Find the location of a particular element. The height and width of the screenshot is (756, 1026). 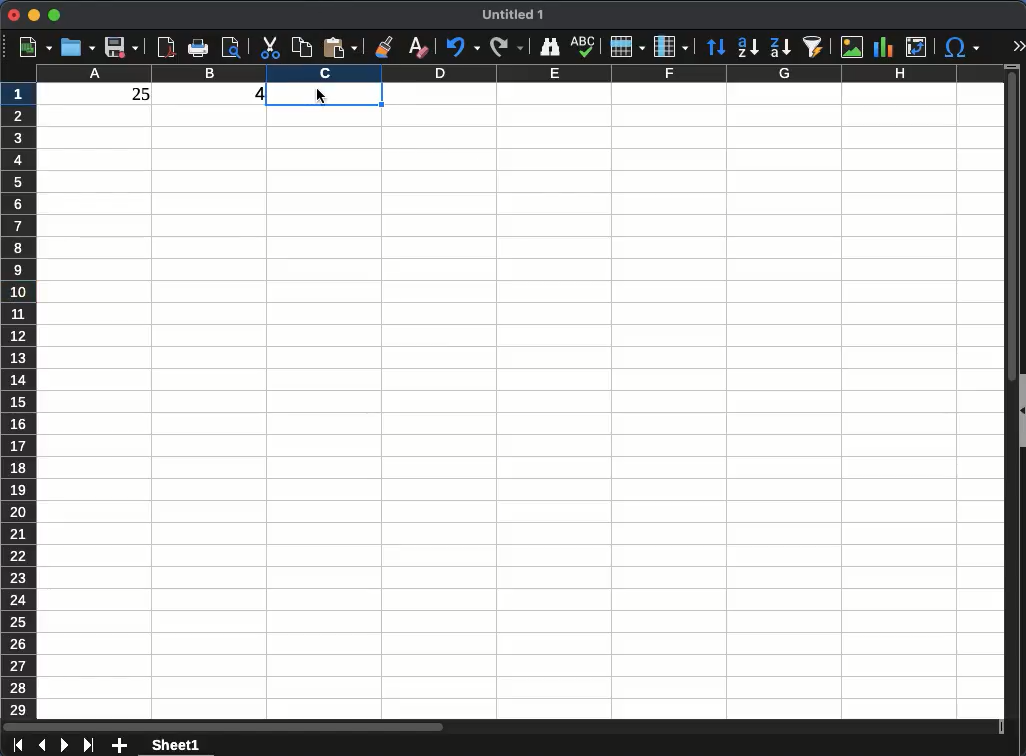

columns  is located at coordinates (515, 74).